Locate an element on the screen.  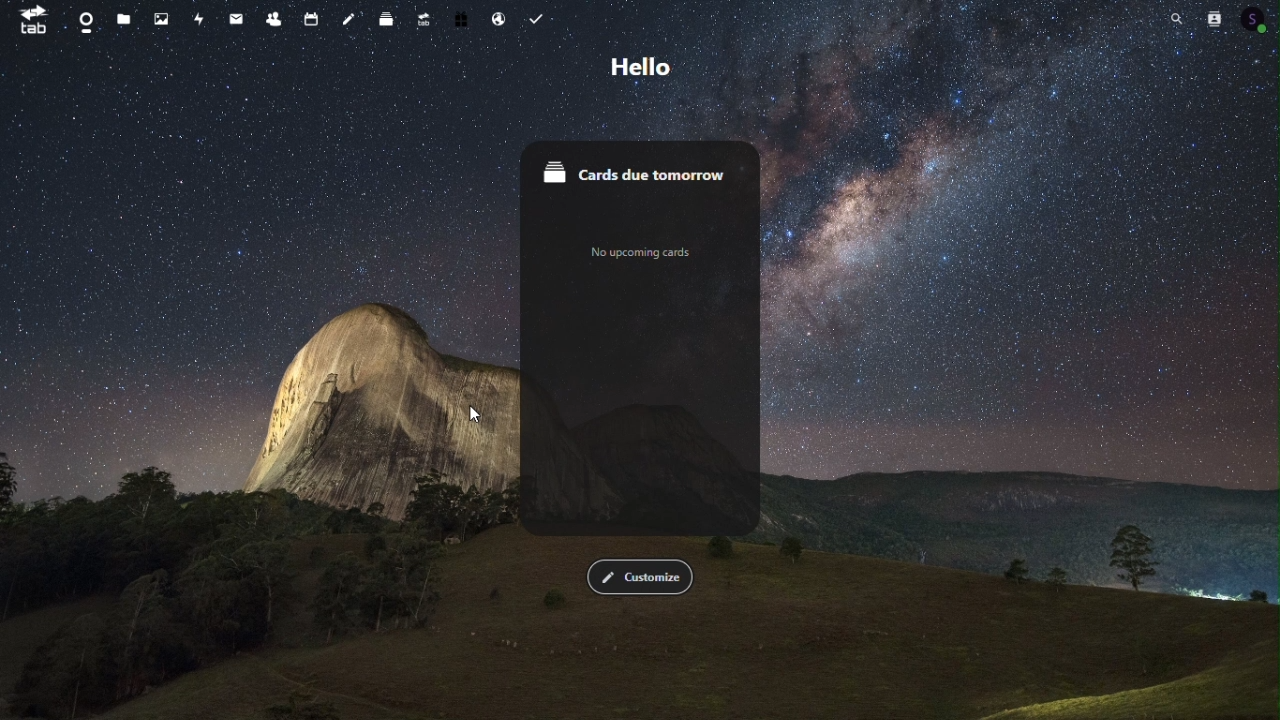
mail is located at coordinates (236, 18).